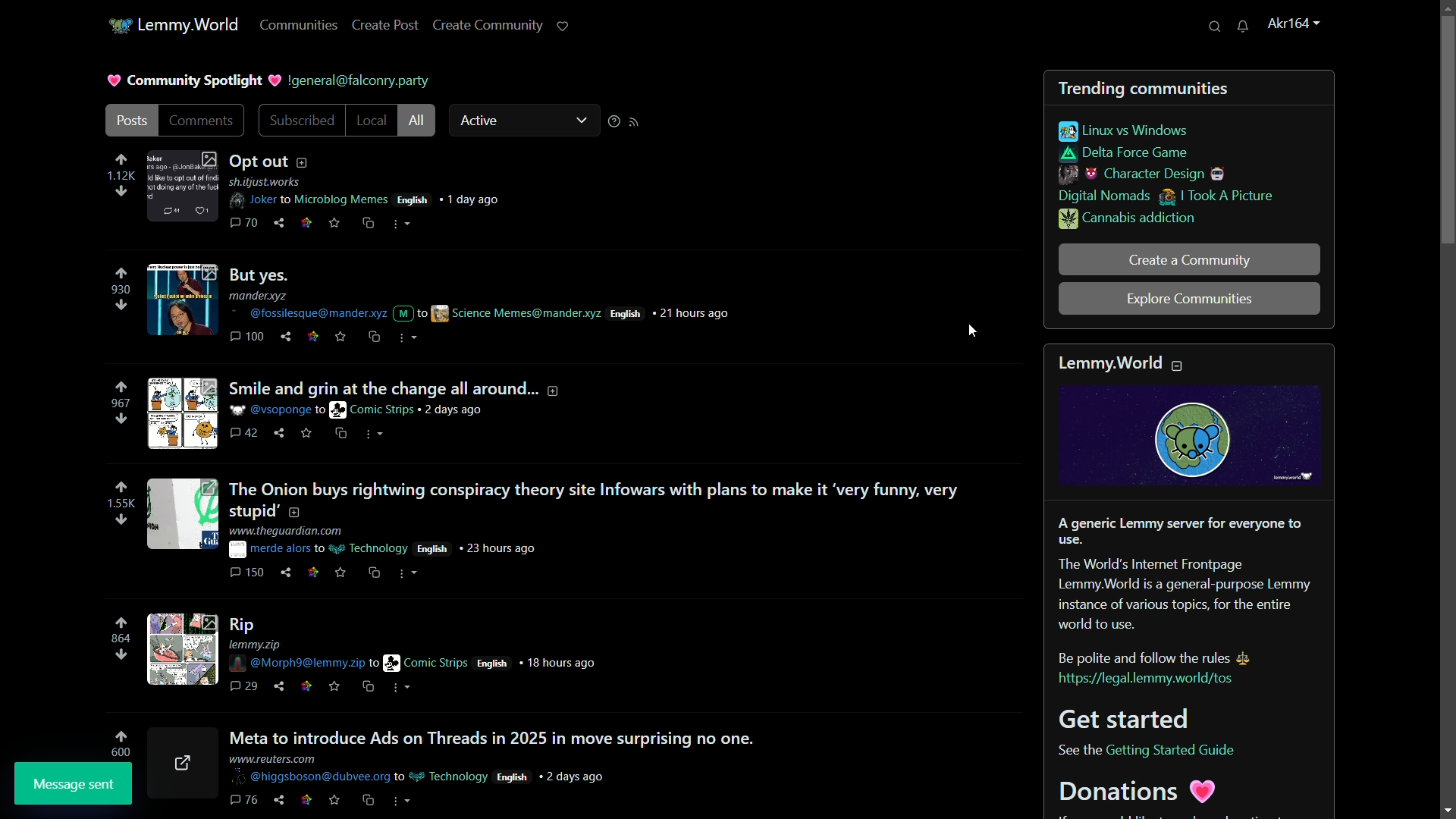 This screenshot has width=1456, height=819. Describe the element at coordinates (288, 336) in the screenshot. I see `share` at that location.